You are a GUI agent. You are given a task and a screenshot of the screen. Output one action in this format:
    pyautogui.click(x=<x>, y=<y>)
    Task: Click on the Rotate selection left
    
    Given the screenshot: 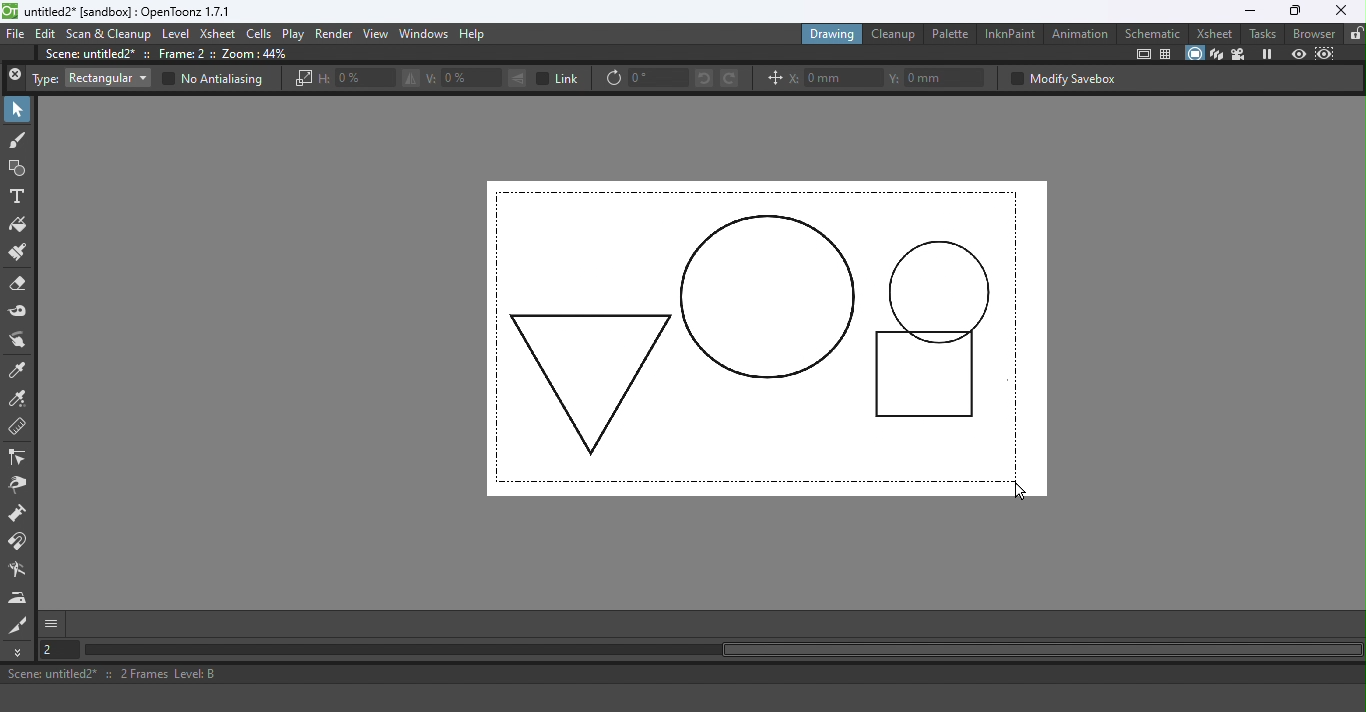 What is the action you would take?
    pyautogui.click(x=702, y=77)
    